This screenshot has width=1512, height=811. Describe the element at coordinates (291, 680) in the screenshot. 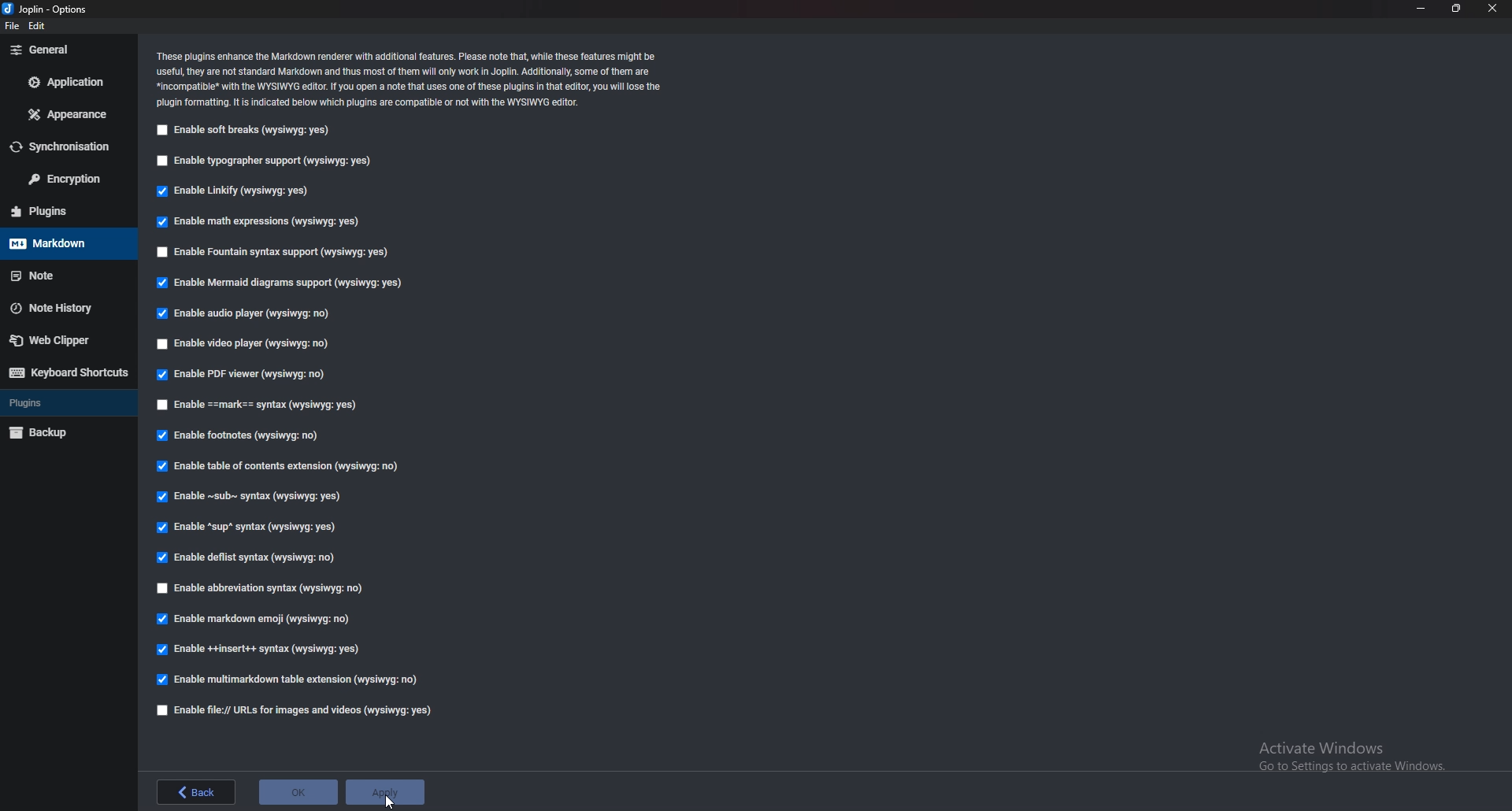

I see `enable multi markdown table extension (wysiqyg:no)` at that location.